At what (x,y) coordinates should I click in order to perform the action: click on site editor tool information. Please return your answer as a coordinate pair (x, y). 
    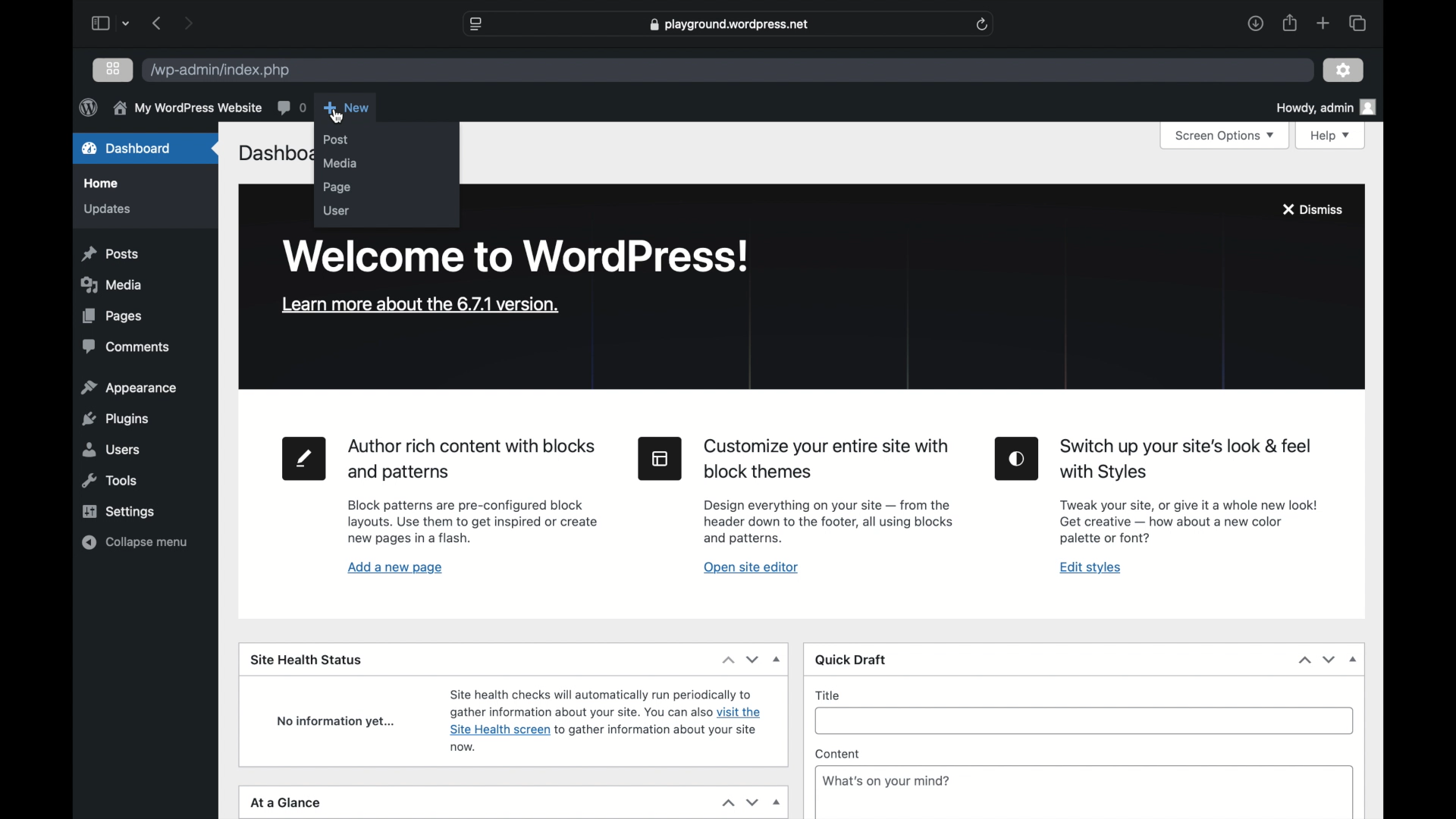
    Looking at the image, I should click on (829, 522).